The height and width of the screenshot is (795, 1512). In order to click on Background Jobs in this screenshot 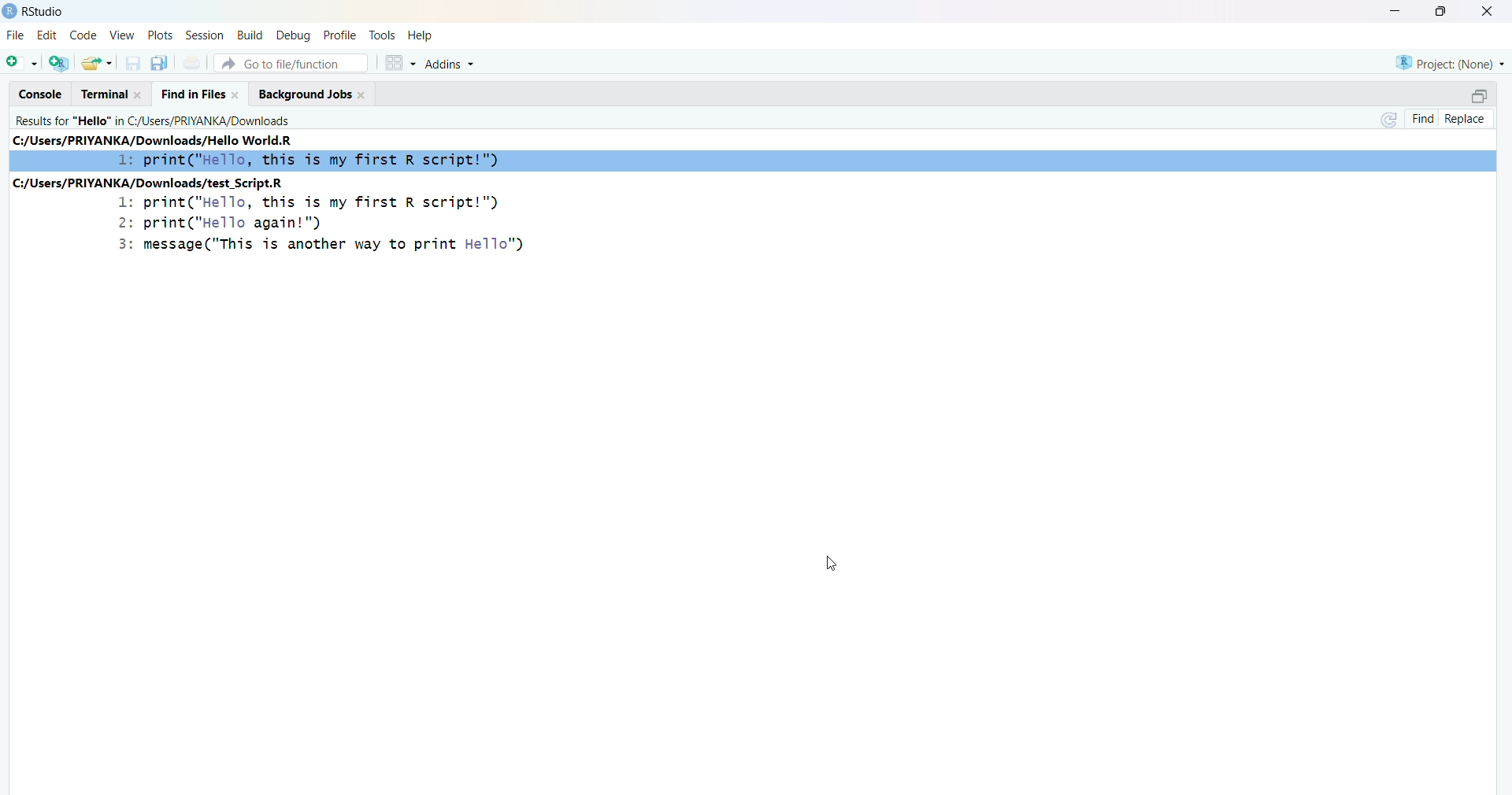, I will do `click(306, 95)`.